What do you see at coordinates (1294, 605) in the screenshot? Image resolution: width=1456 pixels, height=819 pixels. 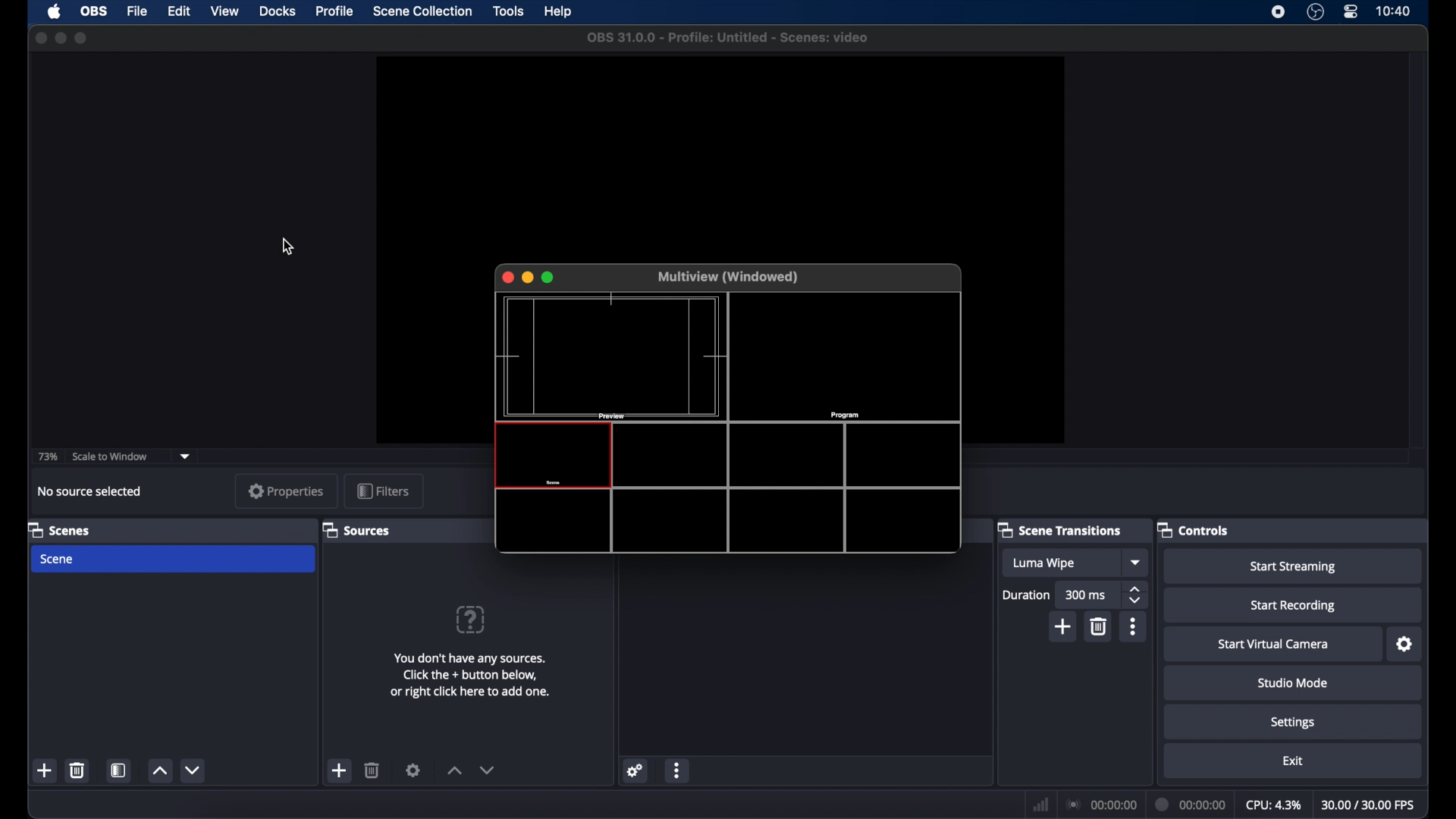 I see `start recording` at bounding box center [1294, 605].